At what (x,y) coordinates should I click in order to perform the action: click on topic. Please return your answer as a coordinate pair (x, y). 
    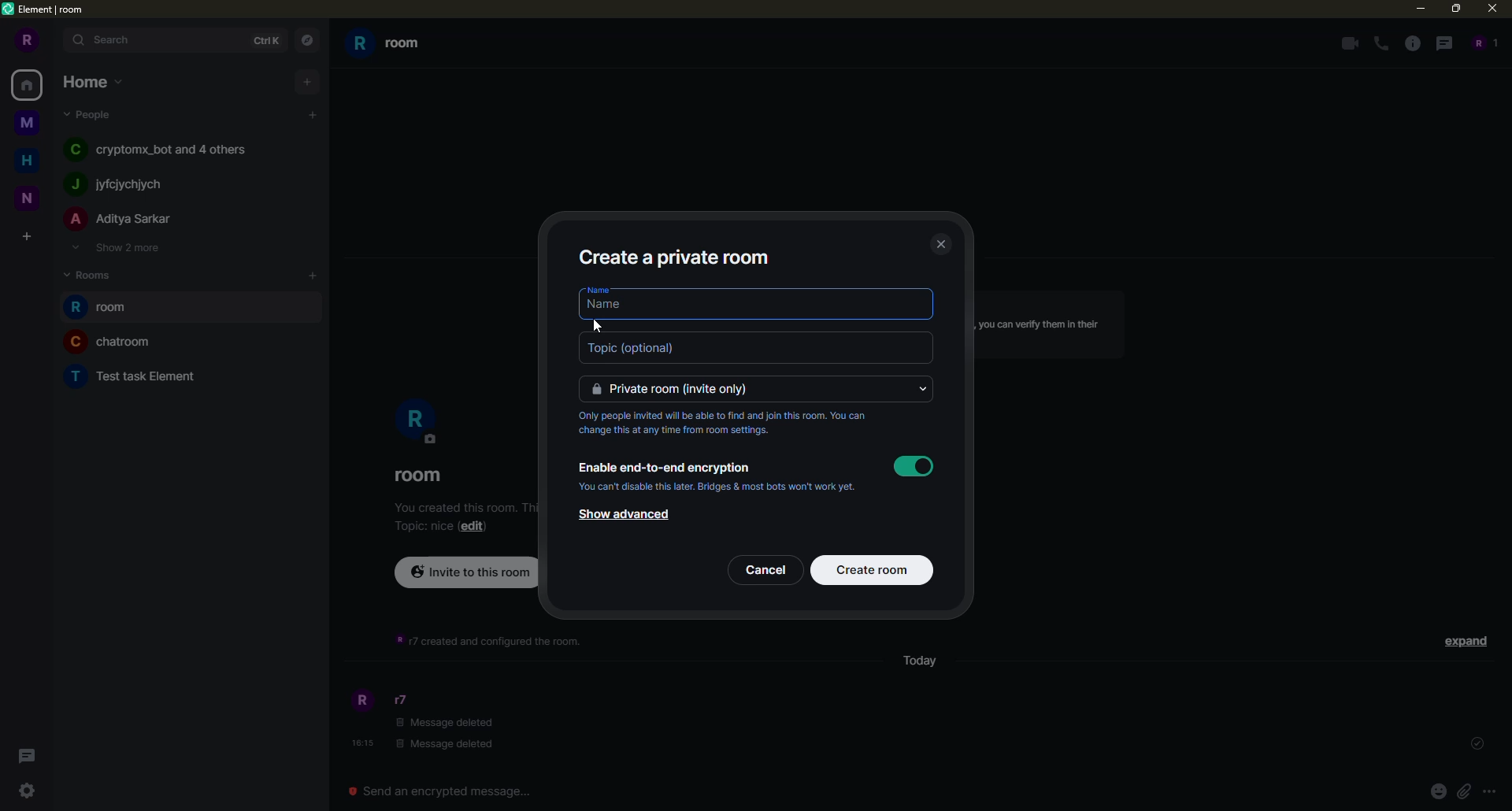
    Looking at the image, I should click on (425, 526).